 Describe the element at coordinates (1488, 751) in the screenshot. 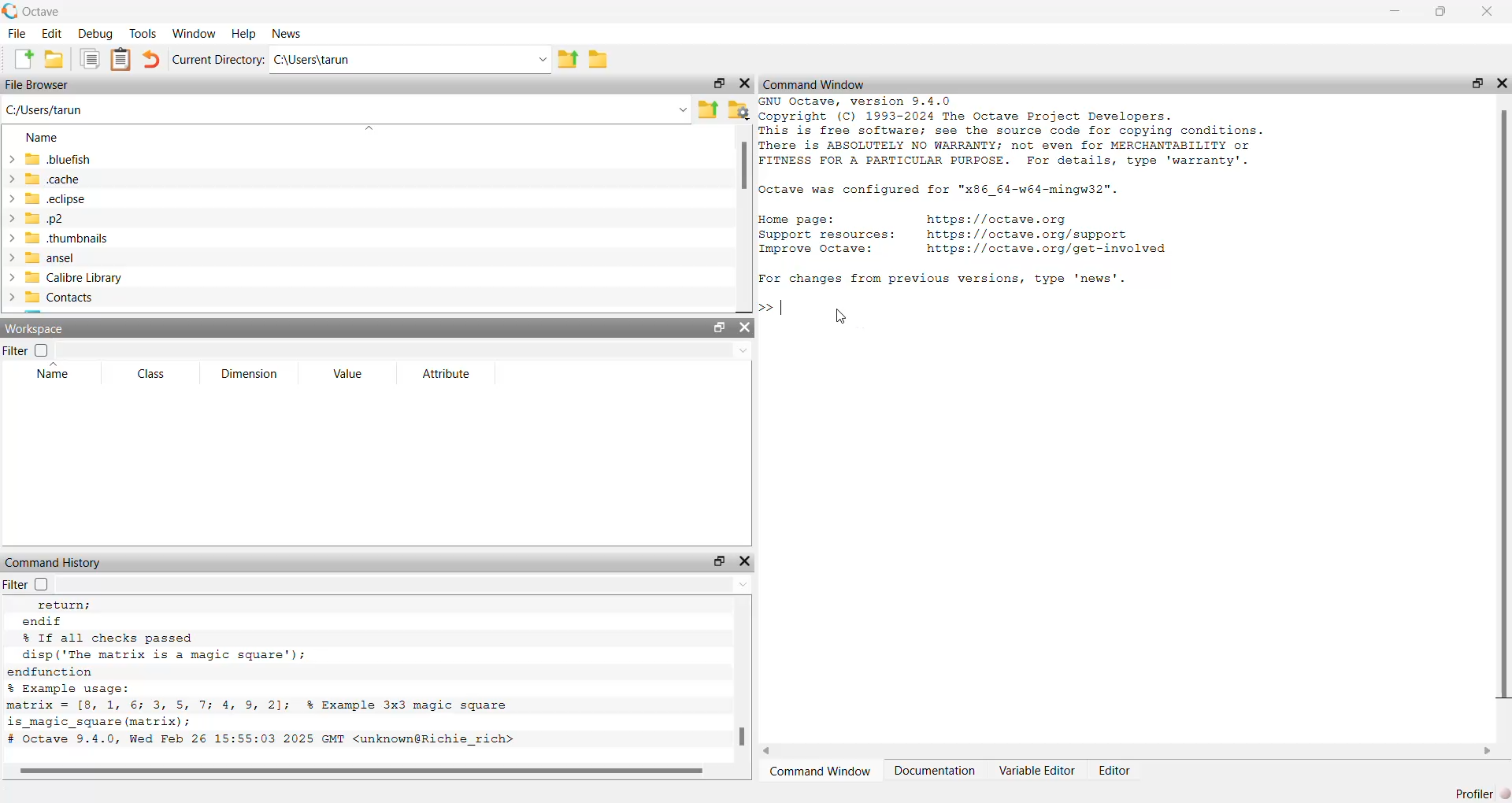

I see `scroll right` at that location.